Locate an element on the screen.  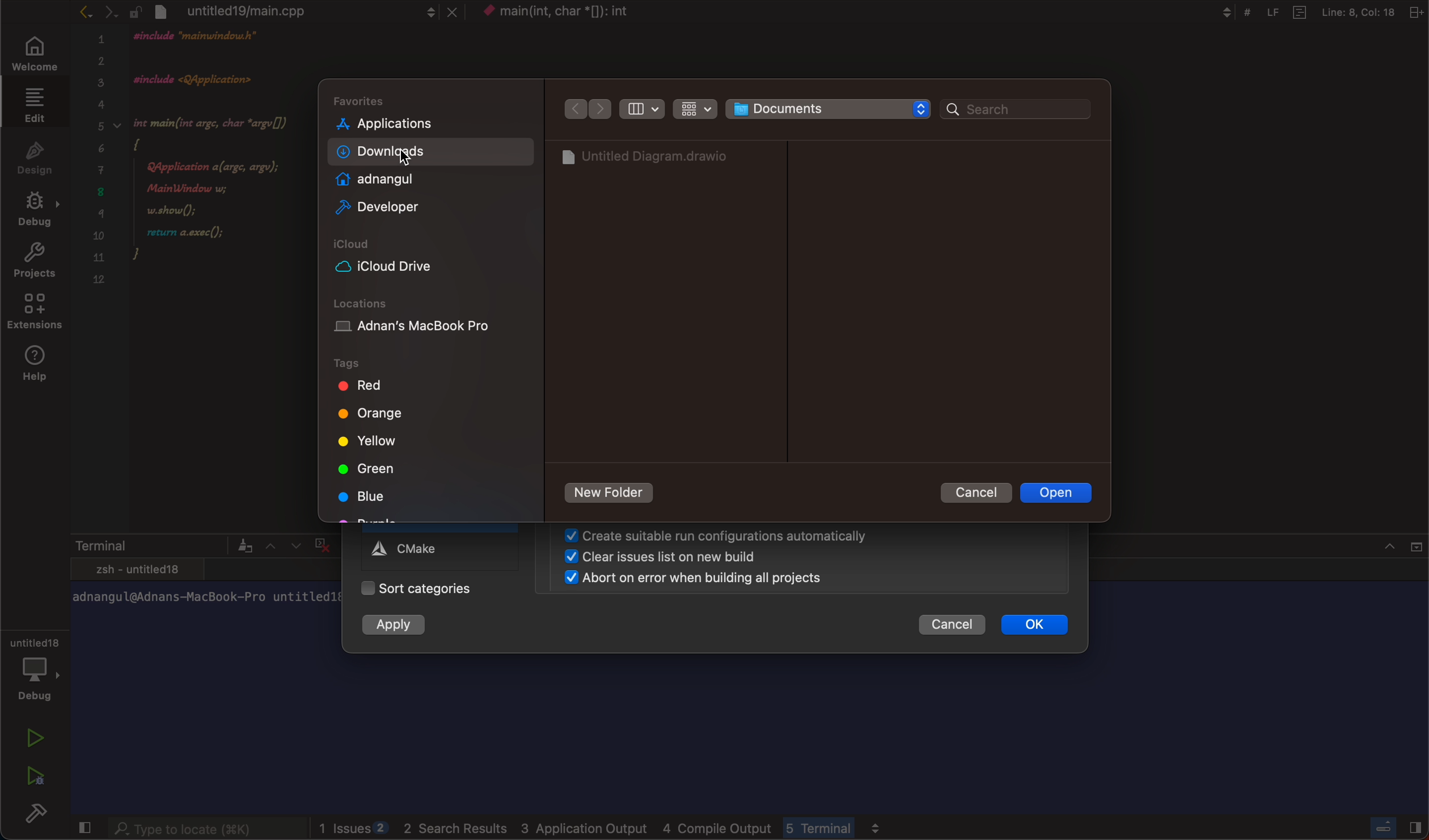
create suitable run configuration  is located at coordinates (715, 538).